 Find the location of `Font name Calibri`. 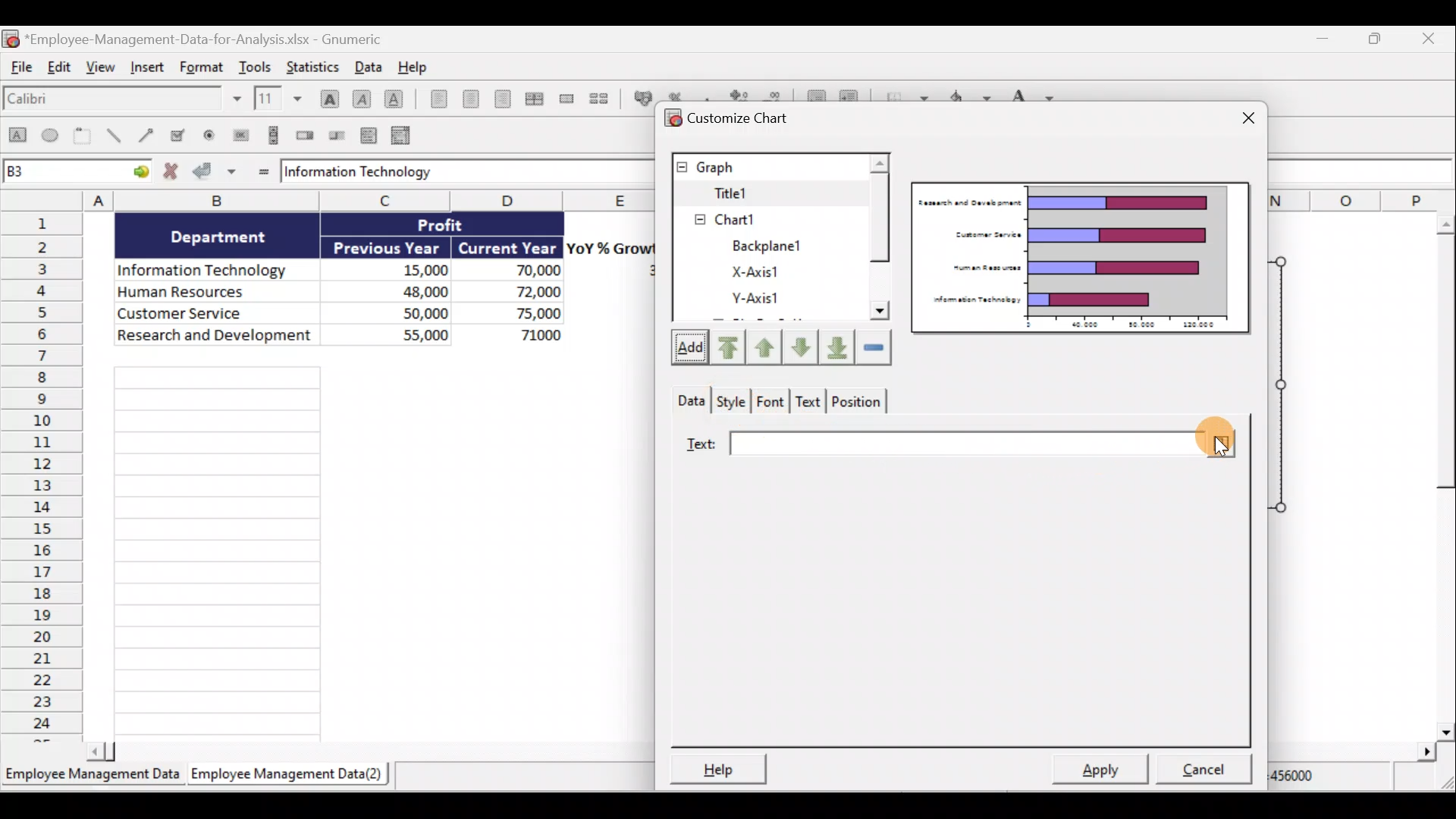

Font name Calibri is located at coordinates (121, 102).